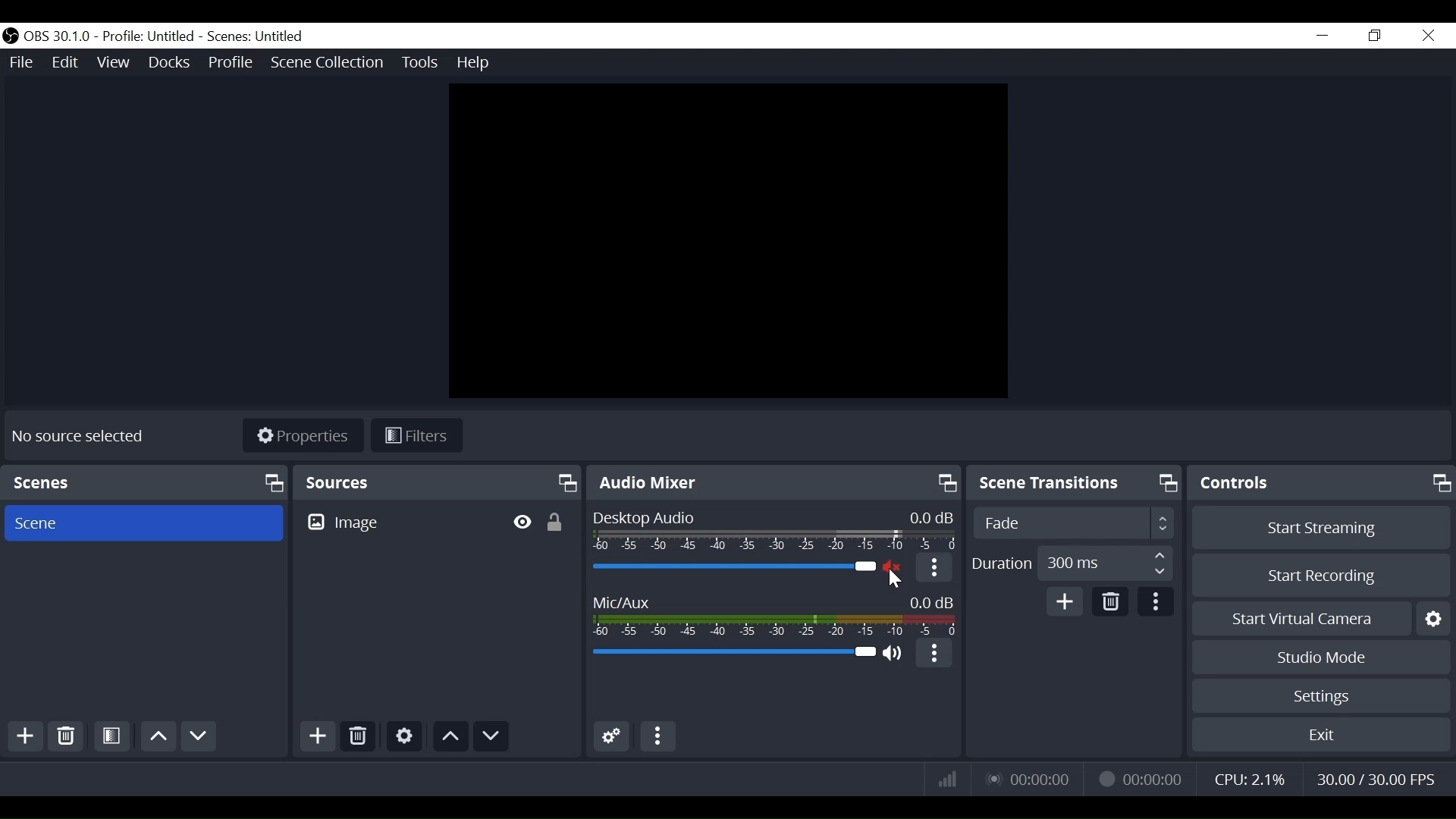  I want to click on No source selected, so click(80, 436).